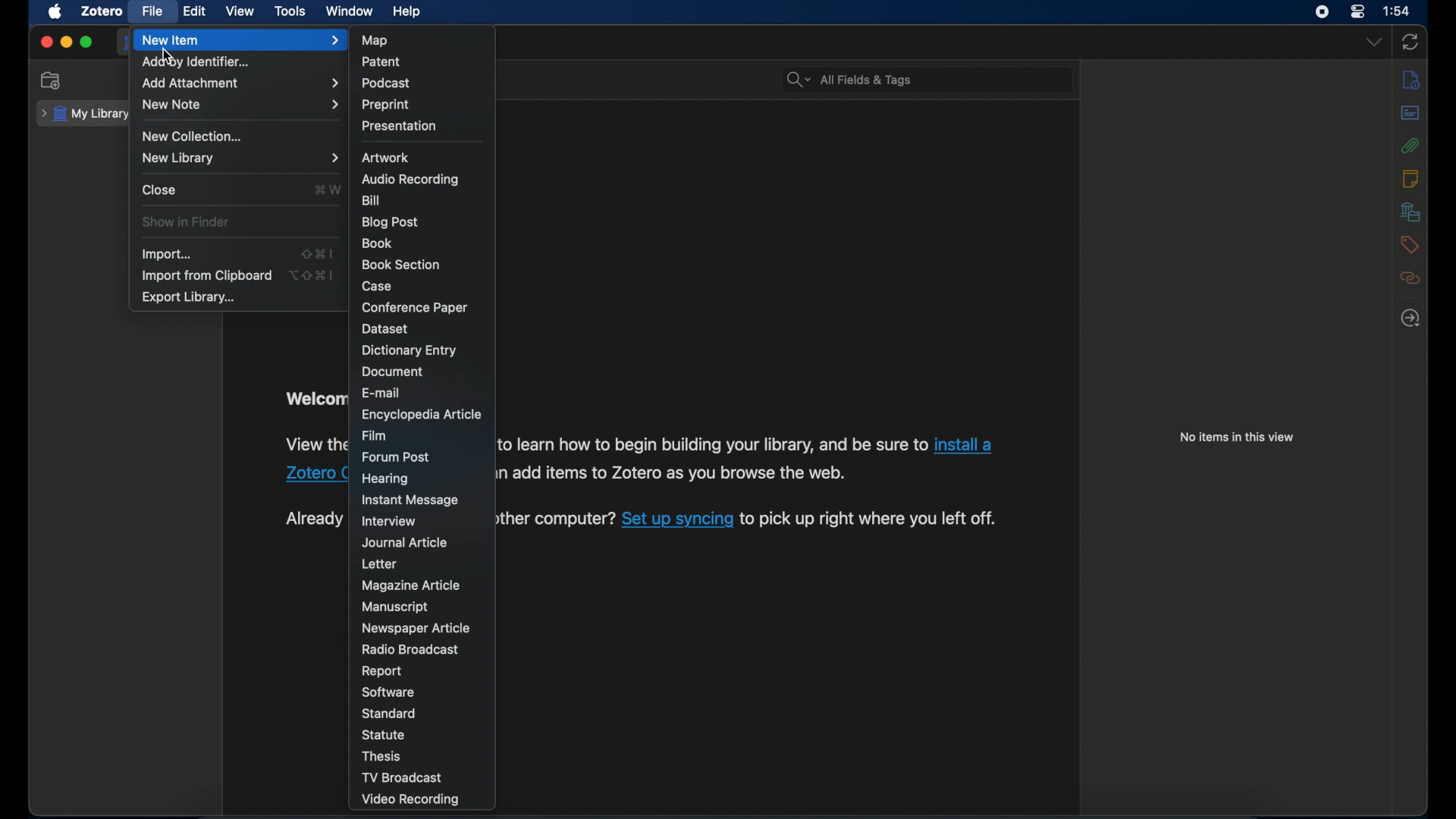  Describe the element at coordinates (383, 734) in the screenshot. I see `statue` at that location.